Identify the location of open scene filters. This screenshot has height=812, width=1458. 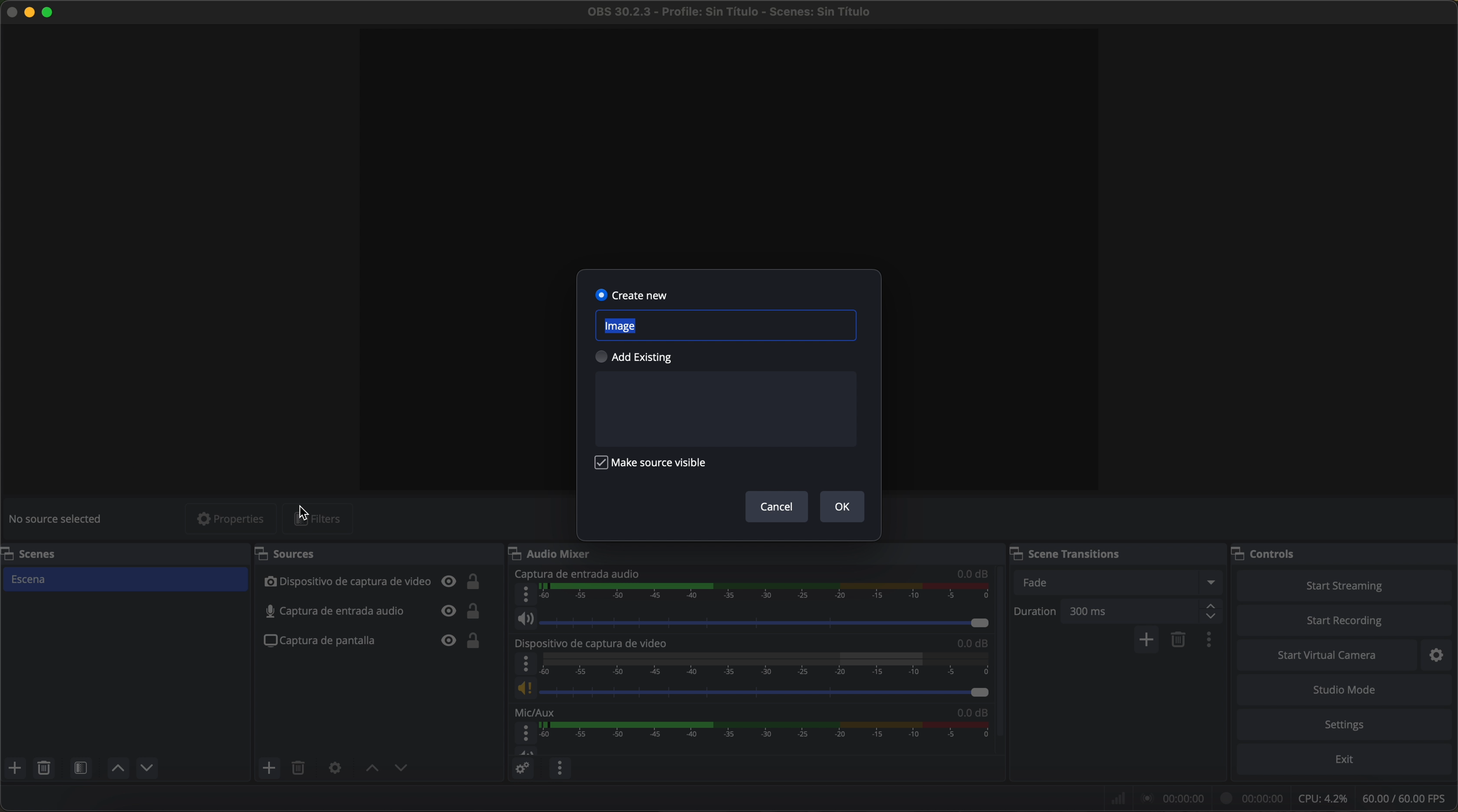
(83, 769).